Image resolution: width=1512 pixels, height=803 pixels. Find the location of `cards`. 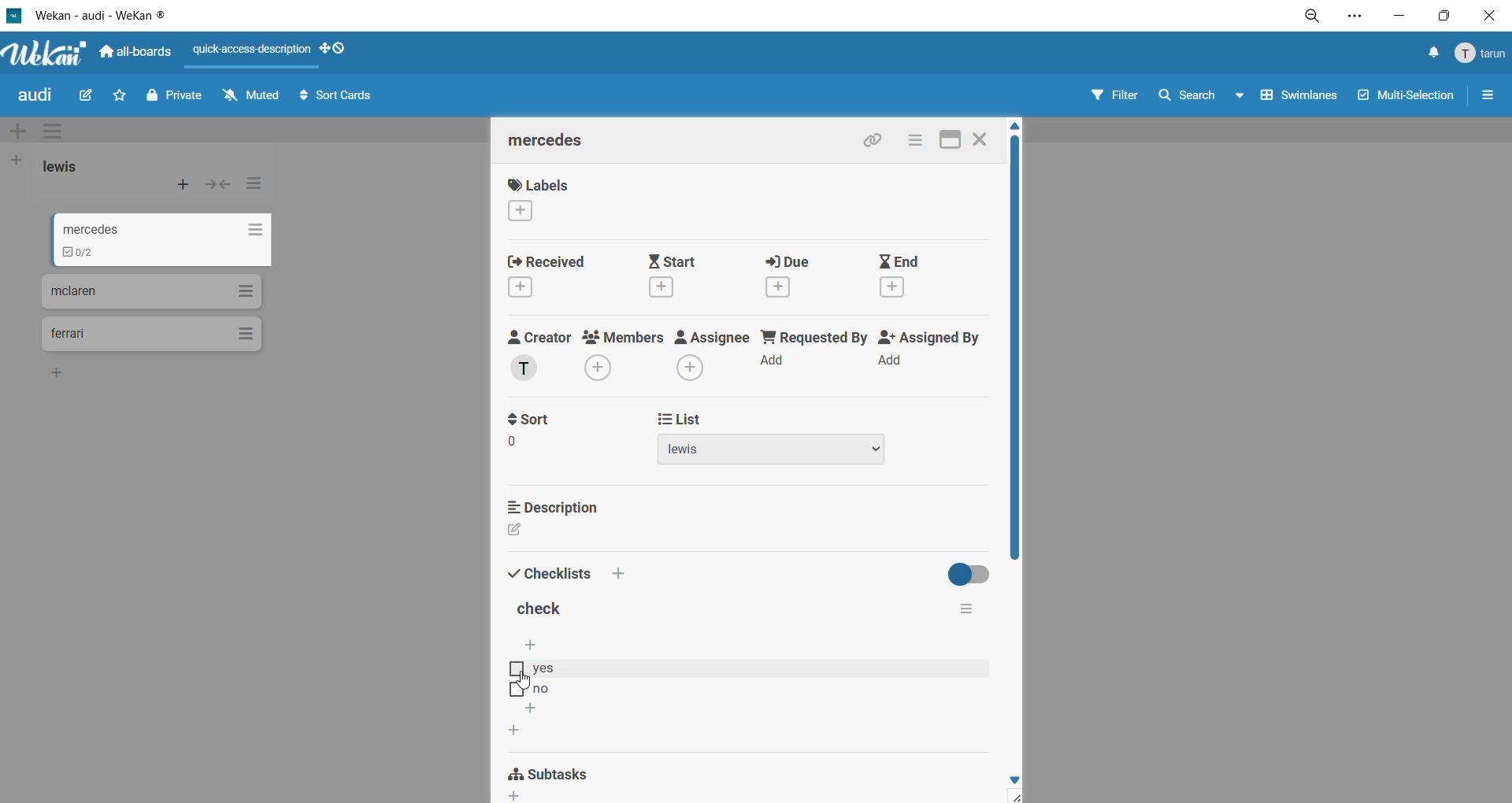

cards is located at coordinates (154, 290).